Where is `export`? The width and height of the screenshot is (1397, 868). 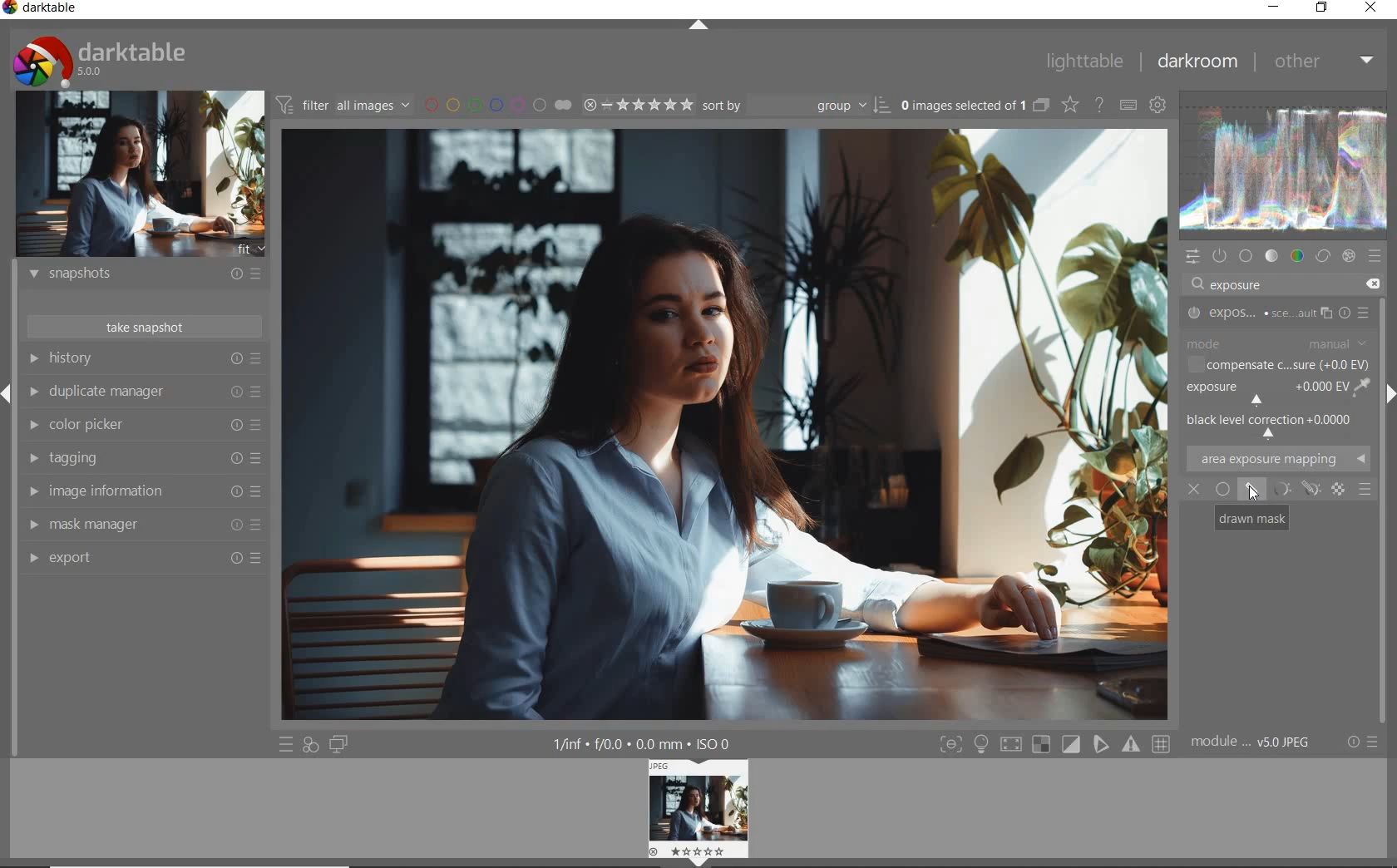 export is located at coordinates (144, 557).